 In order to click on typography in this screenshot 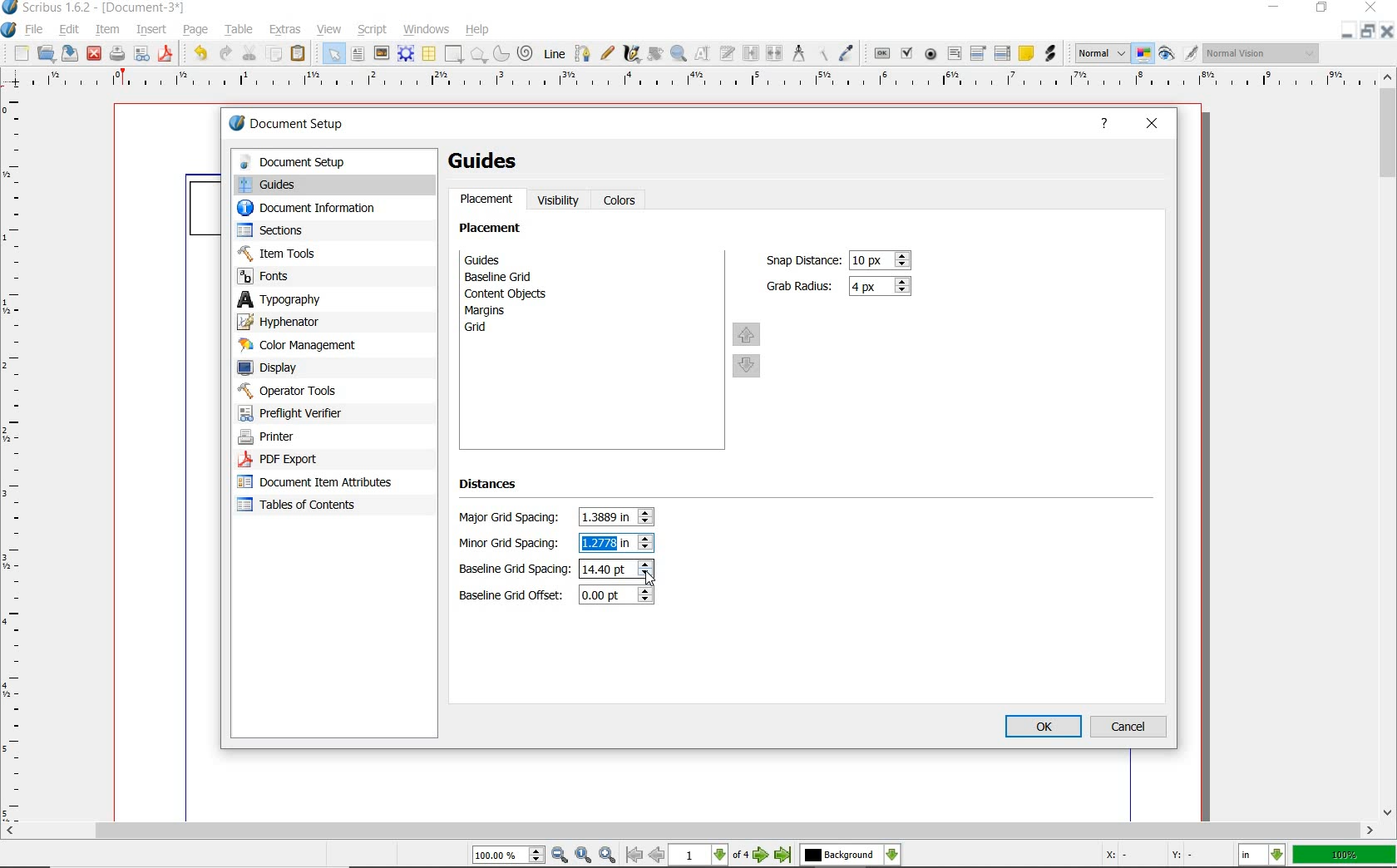, I will do `click(334, 299)`.